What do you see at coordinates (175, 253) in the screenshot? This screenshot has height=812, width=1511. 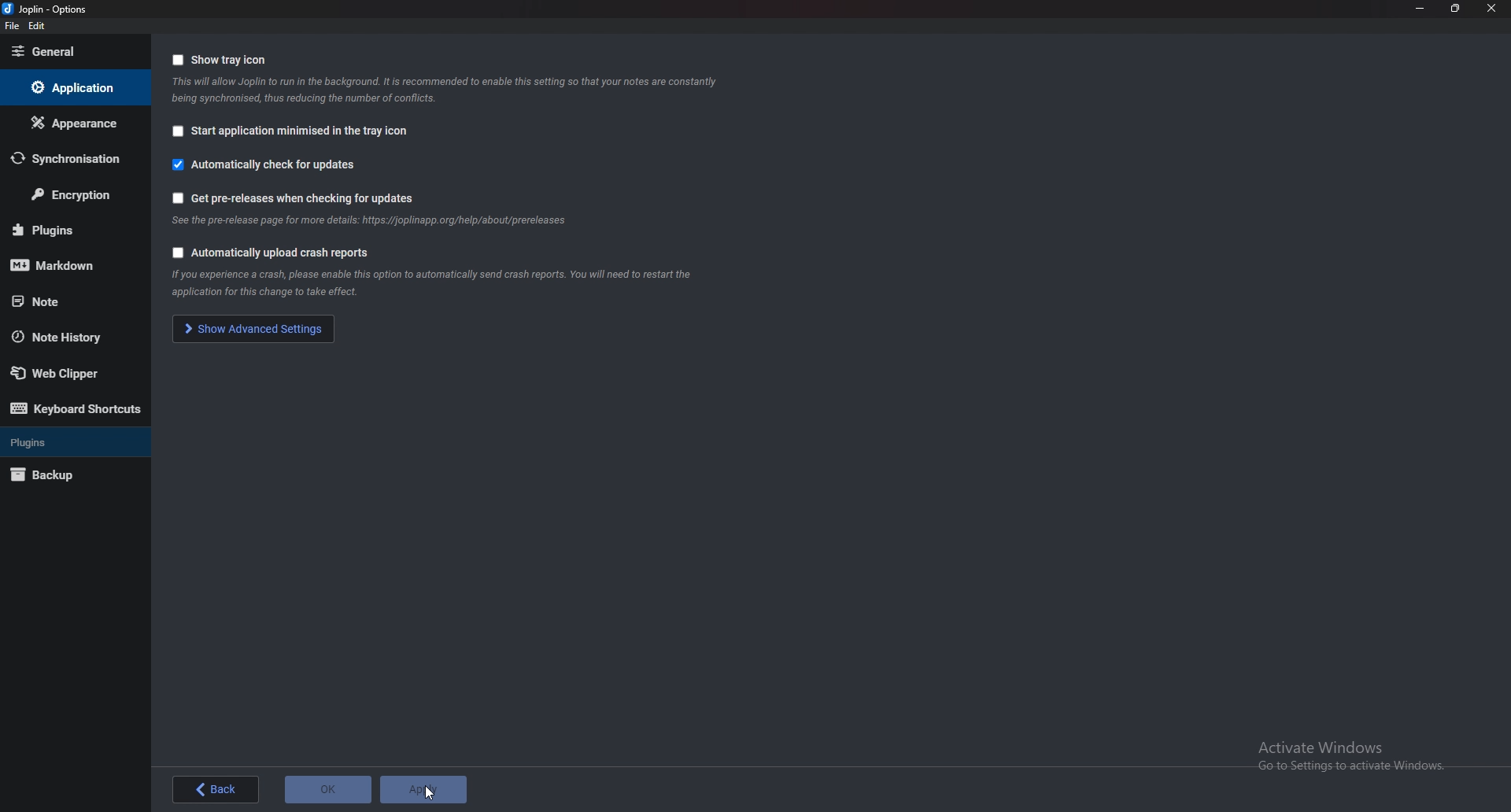 I see `Checkbox ` at bounding box center [175, 253].